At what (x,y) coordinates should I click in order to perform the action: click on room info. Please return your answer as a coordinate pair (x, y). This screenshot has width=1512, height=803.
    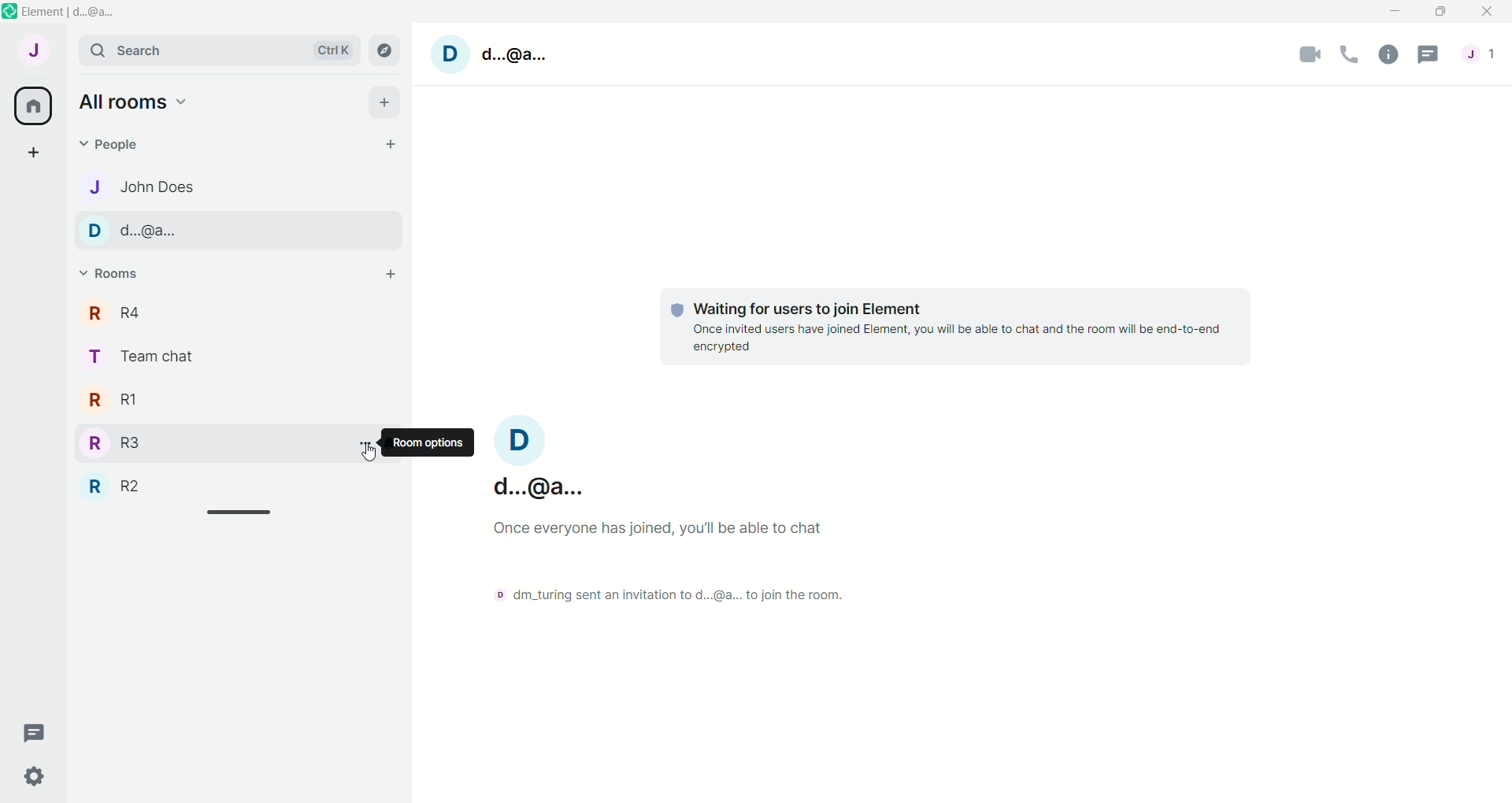
    Looking at the image, I should click on (1387, 54).